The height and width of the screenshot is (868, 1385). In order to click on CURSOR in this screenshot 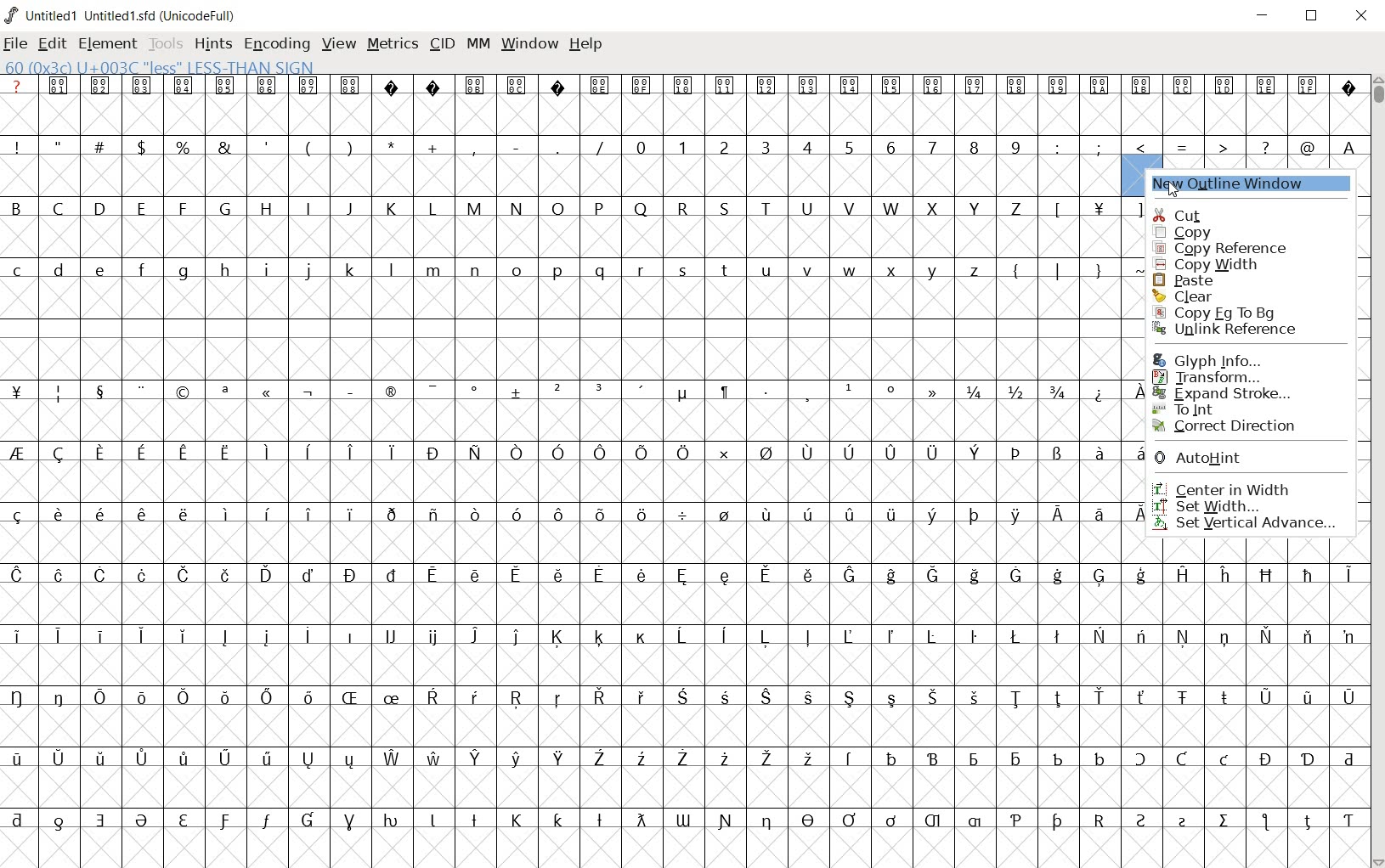, I will do `click(1172, 186)`.